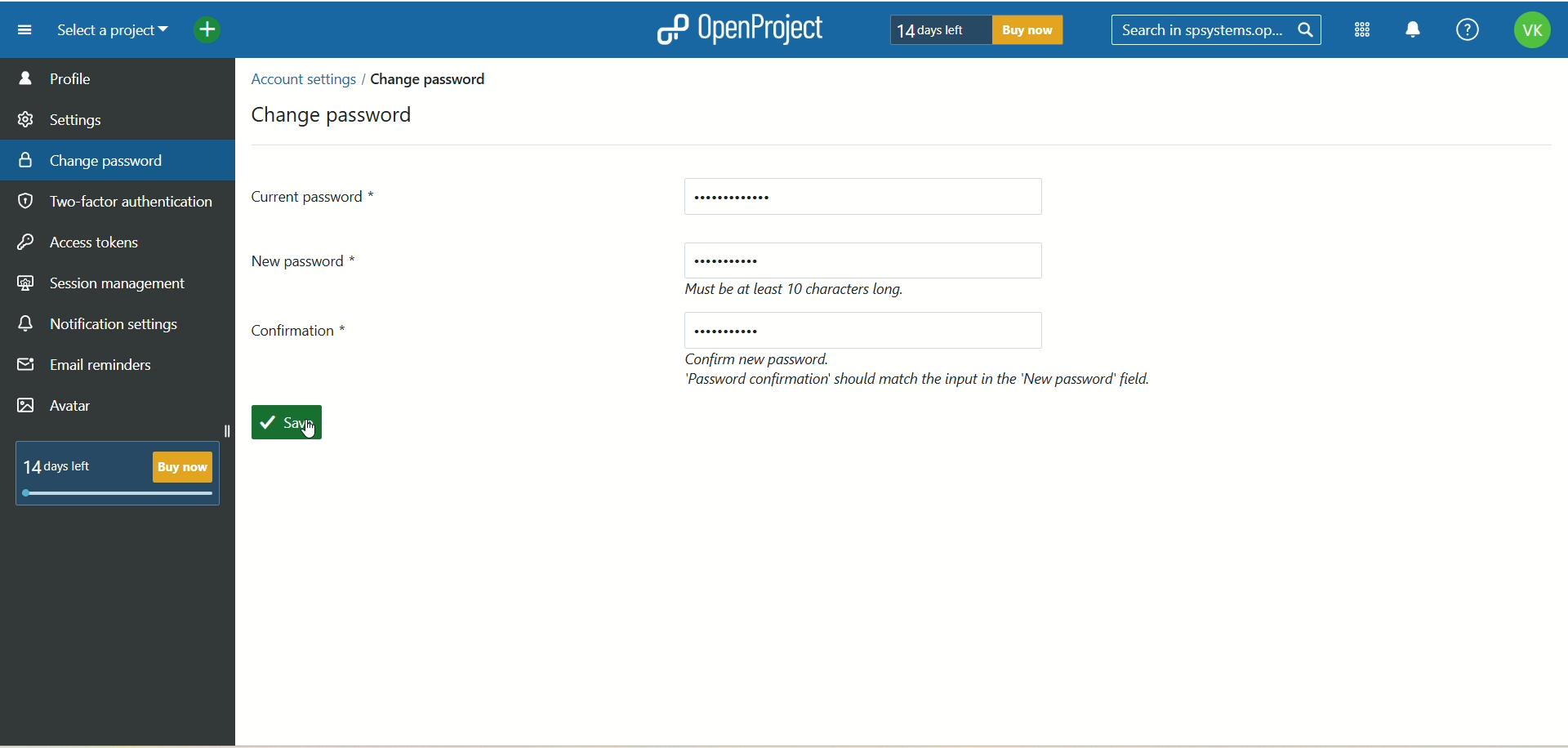 The height and width of the screenshot is (748, 1568). What do you see at coordinates (1219, 31) in the screenshot?
I see `search` at bounding box center [1219, 31].